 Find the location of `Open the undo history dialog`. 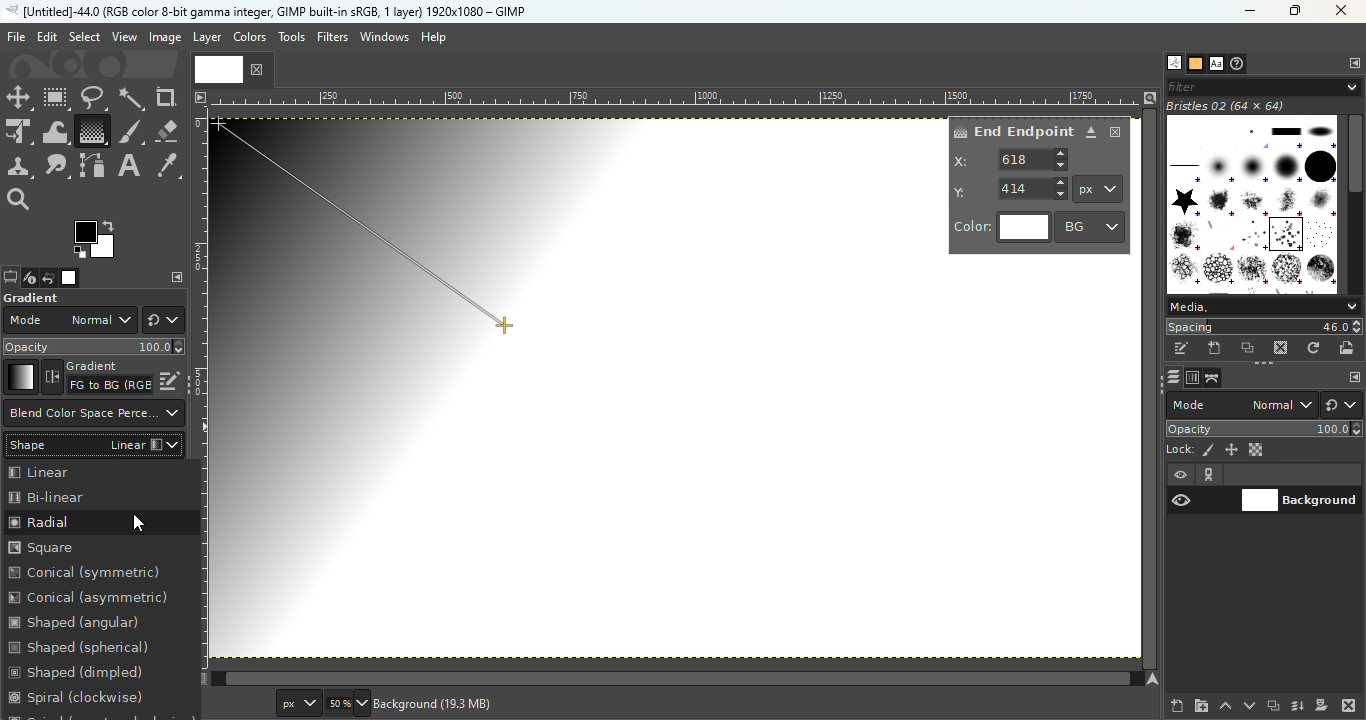

Open the undo history dialog is located at coordinates (49, 277).